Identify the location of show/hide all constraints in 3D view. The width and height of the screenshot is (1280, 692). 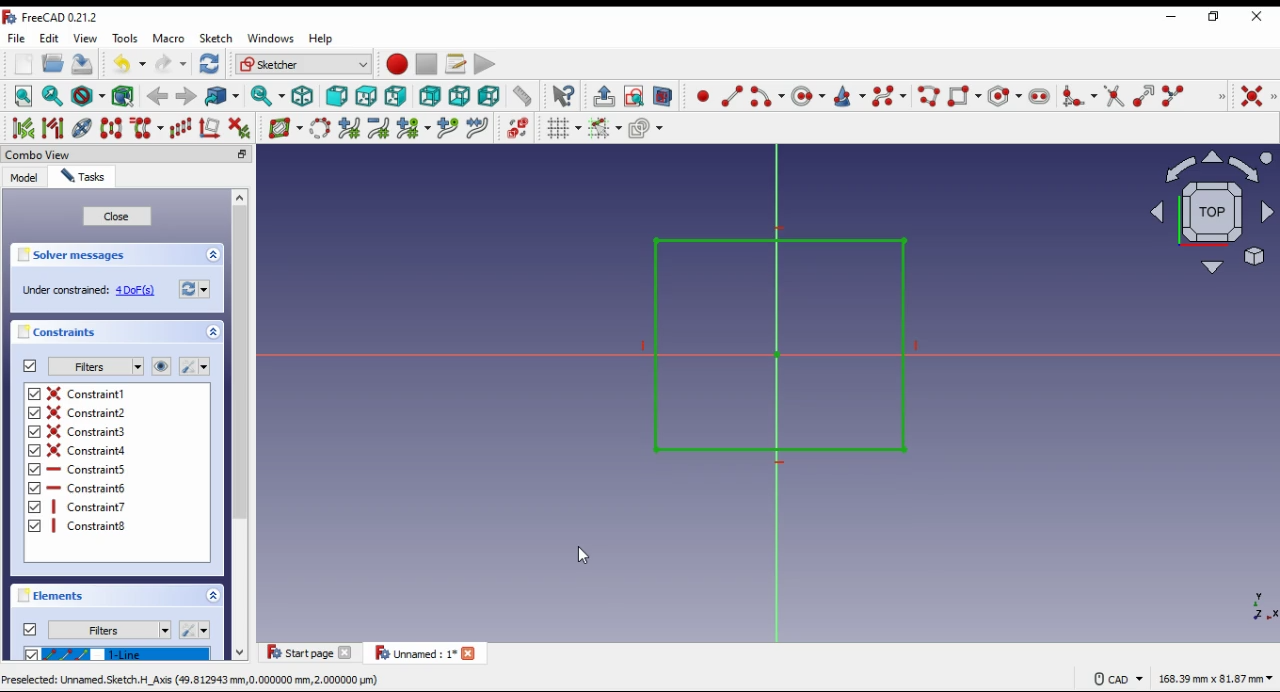
(162, 366).